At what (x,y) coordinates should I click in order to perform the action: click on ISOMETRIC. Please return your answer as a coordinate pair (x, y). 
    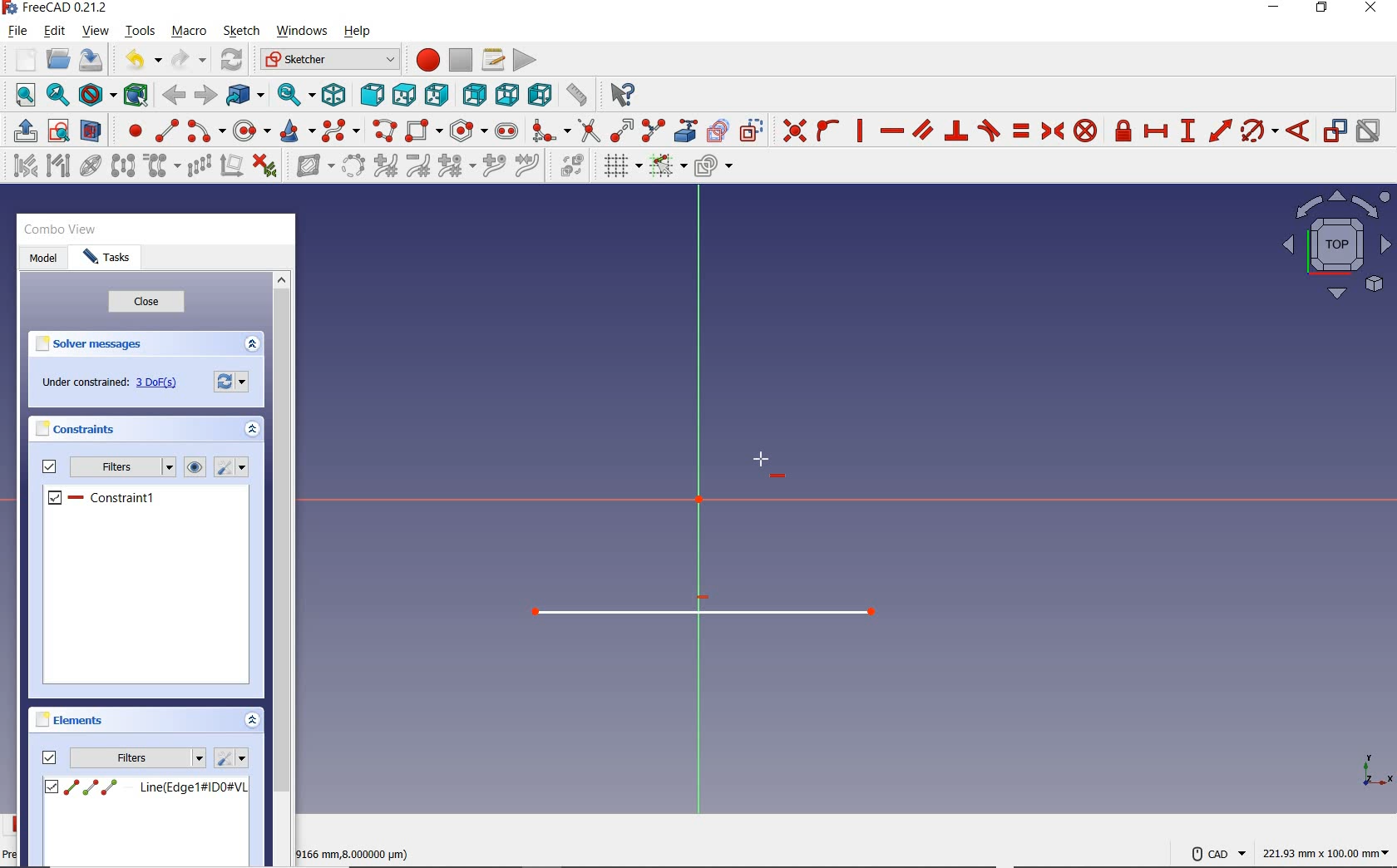
    Looking at the image, I should click on (336, 93).